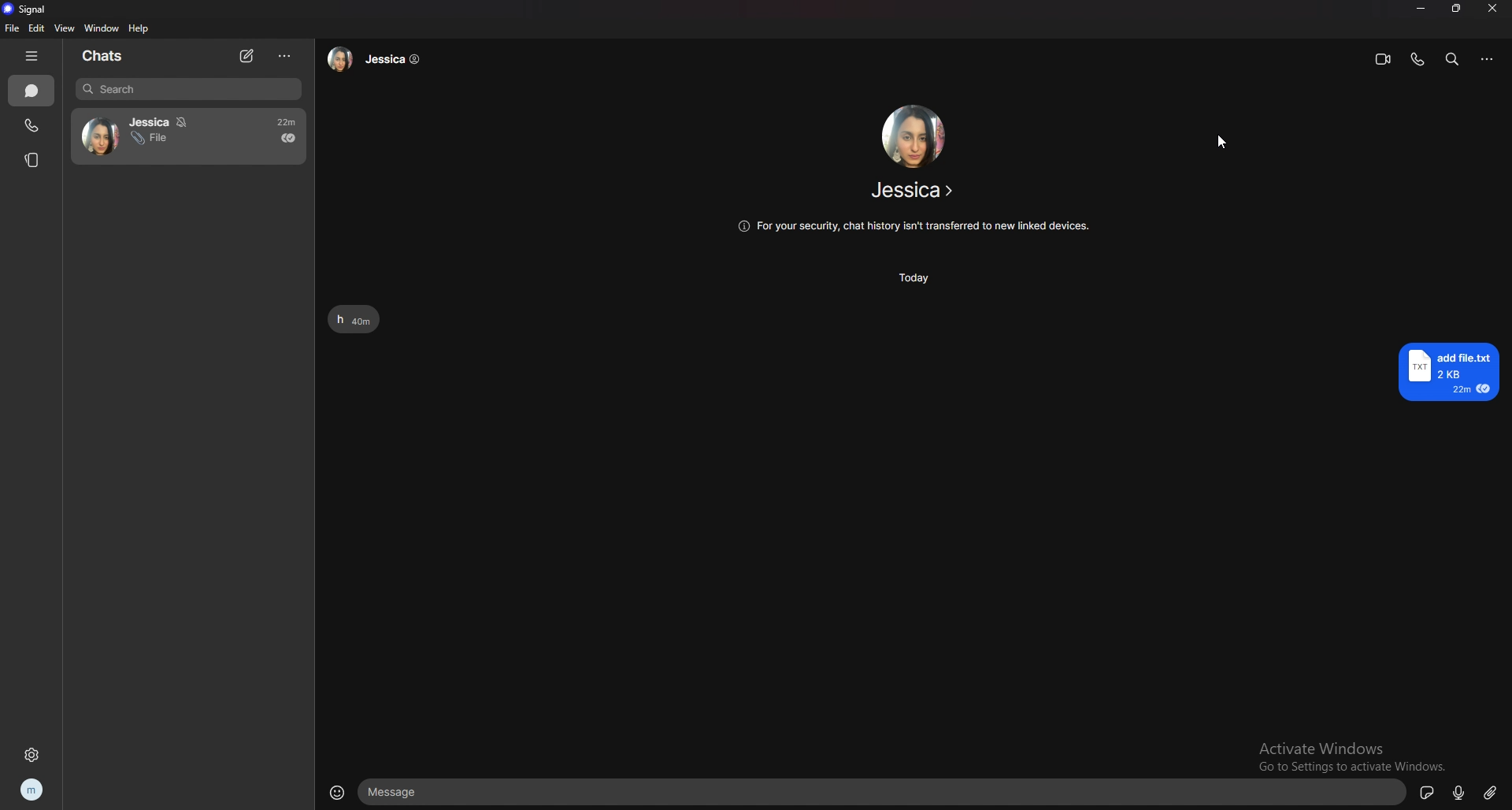 This screenshot has height=810, width=1512. What do you see at coordinates (101, 28) in the screenshot?
I see `window` at bounding box center [101, 28].